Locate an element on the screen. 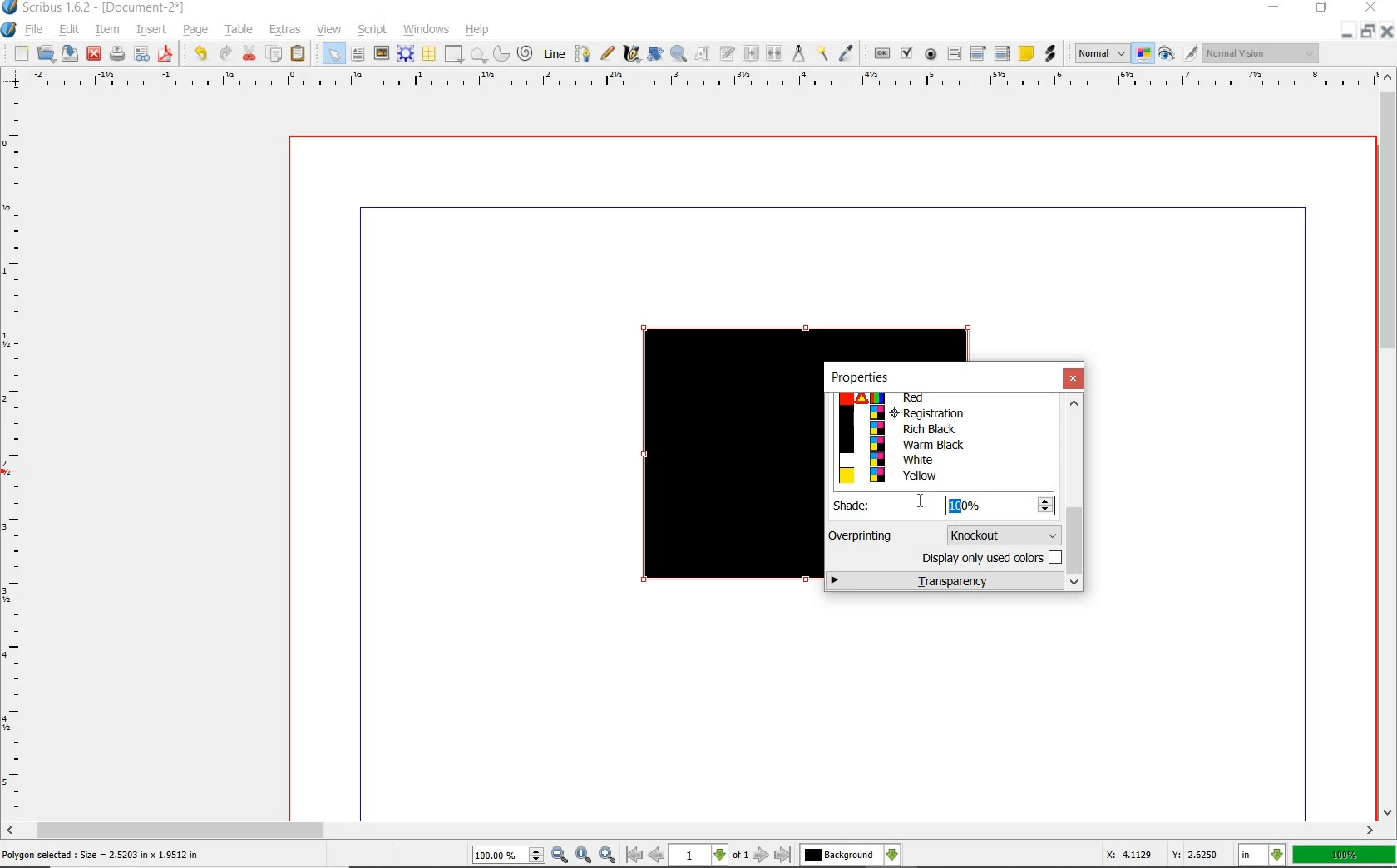 The width and height of the screenshot is (1397, 868). Warm Black is located at coordinates (942, 445).